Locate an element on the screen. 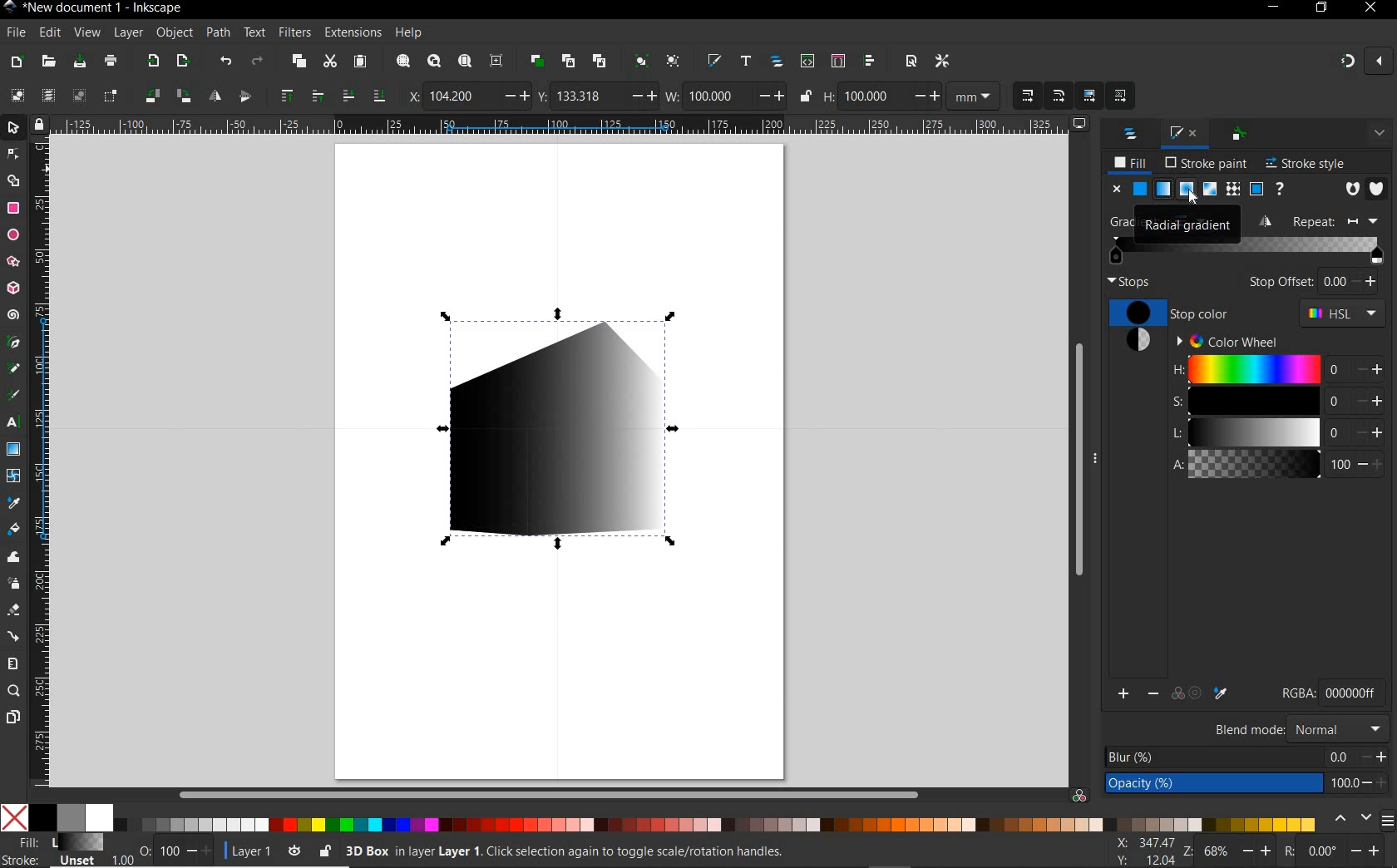 Image resolution: width=1397 pixels, height=868 pixels. ZOOM DRAWING is located at coordinates (434, 62).